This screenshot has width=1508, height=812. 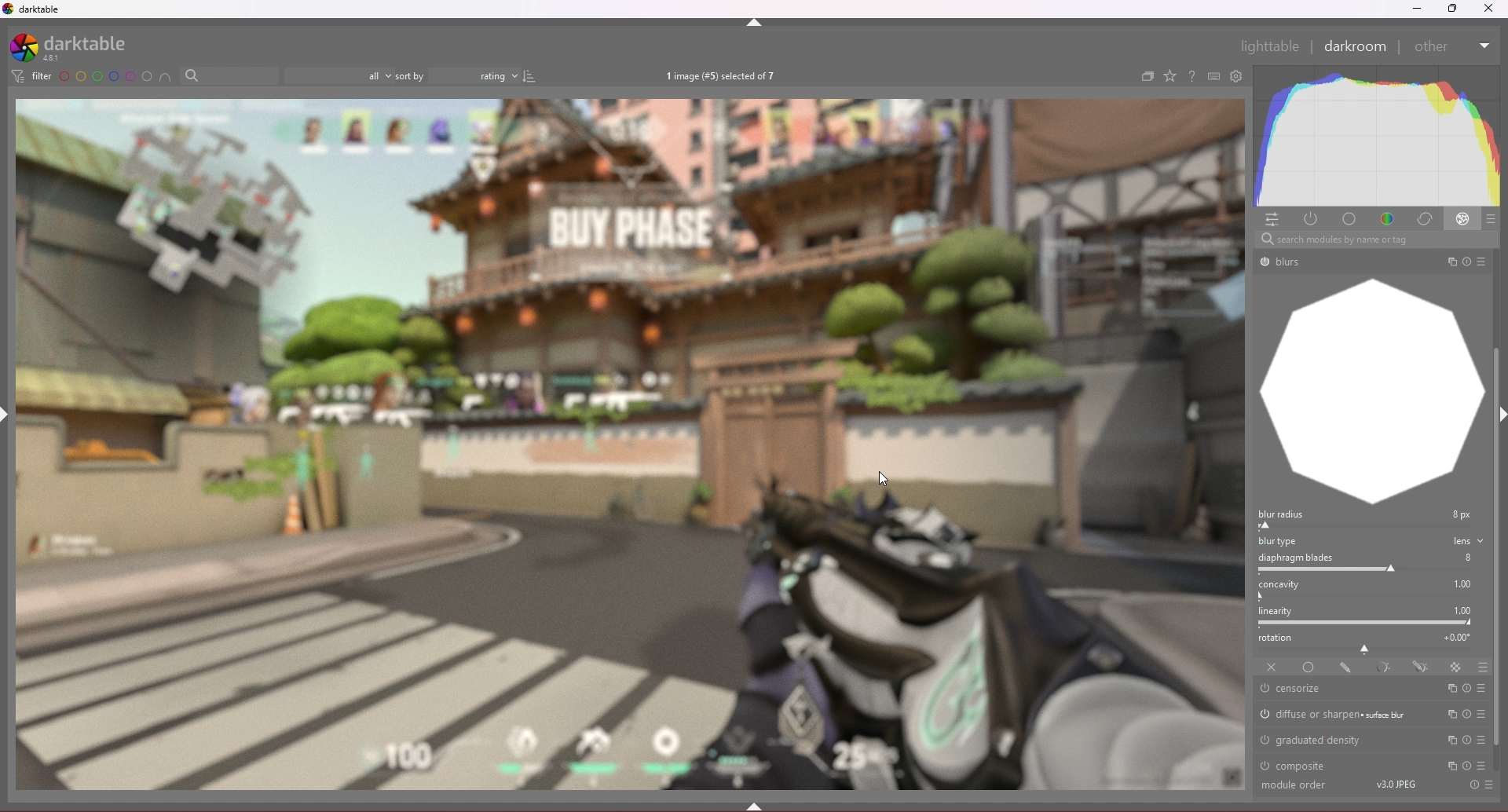 I want to click on sort by, so click(x=410, y=75).